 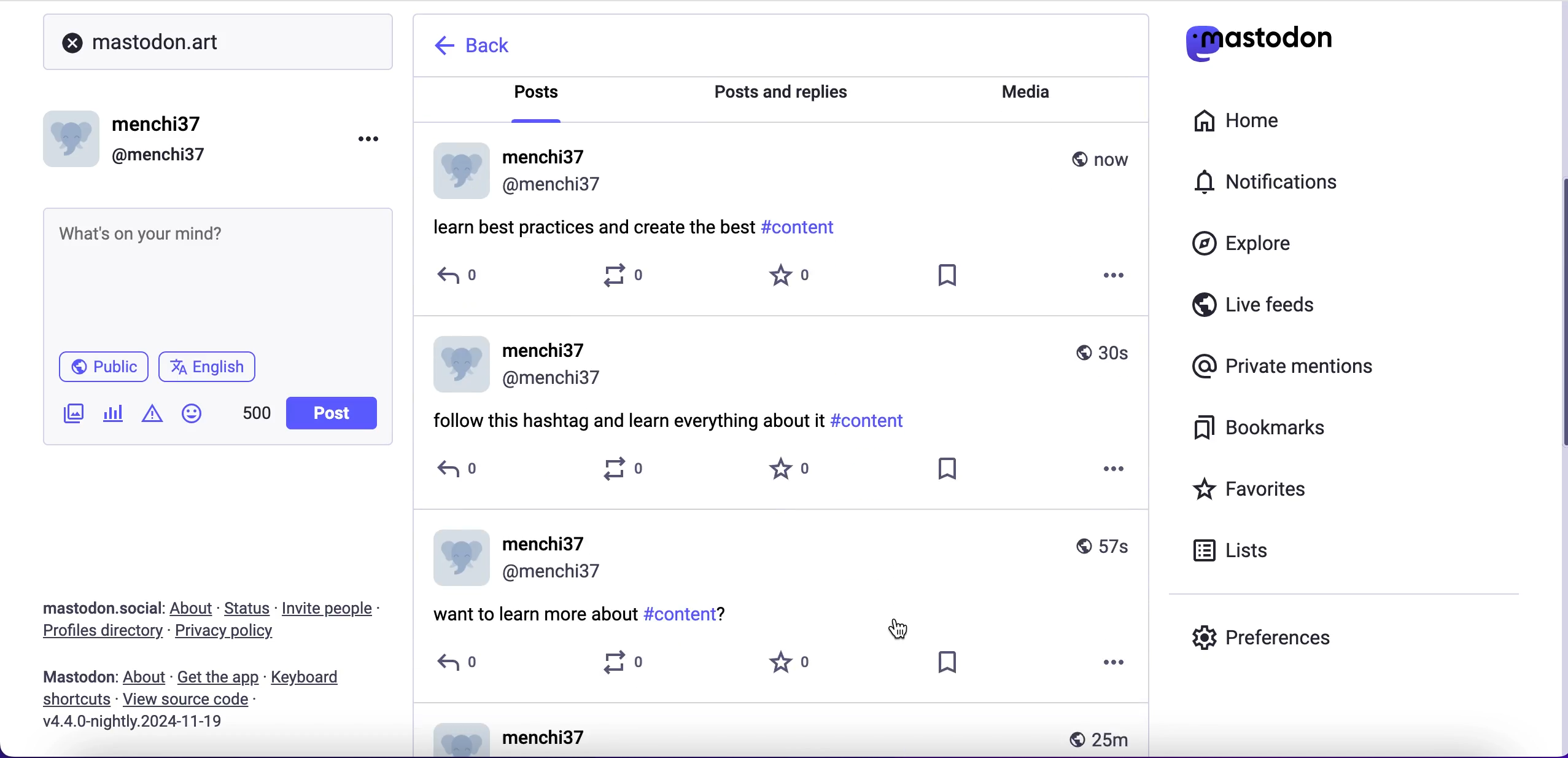 What do you see at coordinates (74, 698) in the screenshot?
I see `shortcuts` at bounding box center [74, 698].